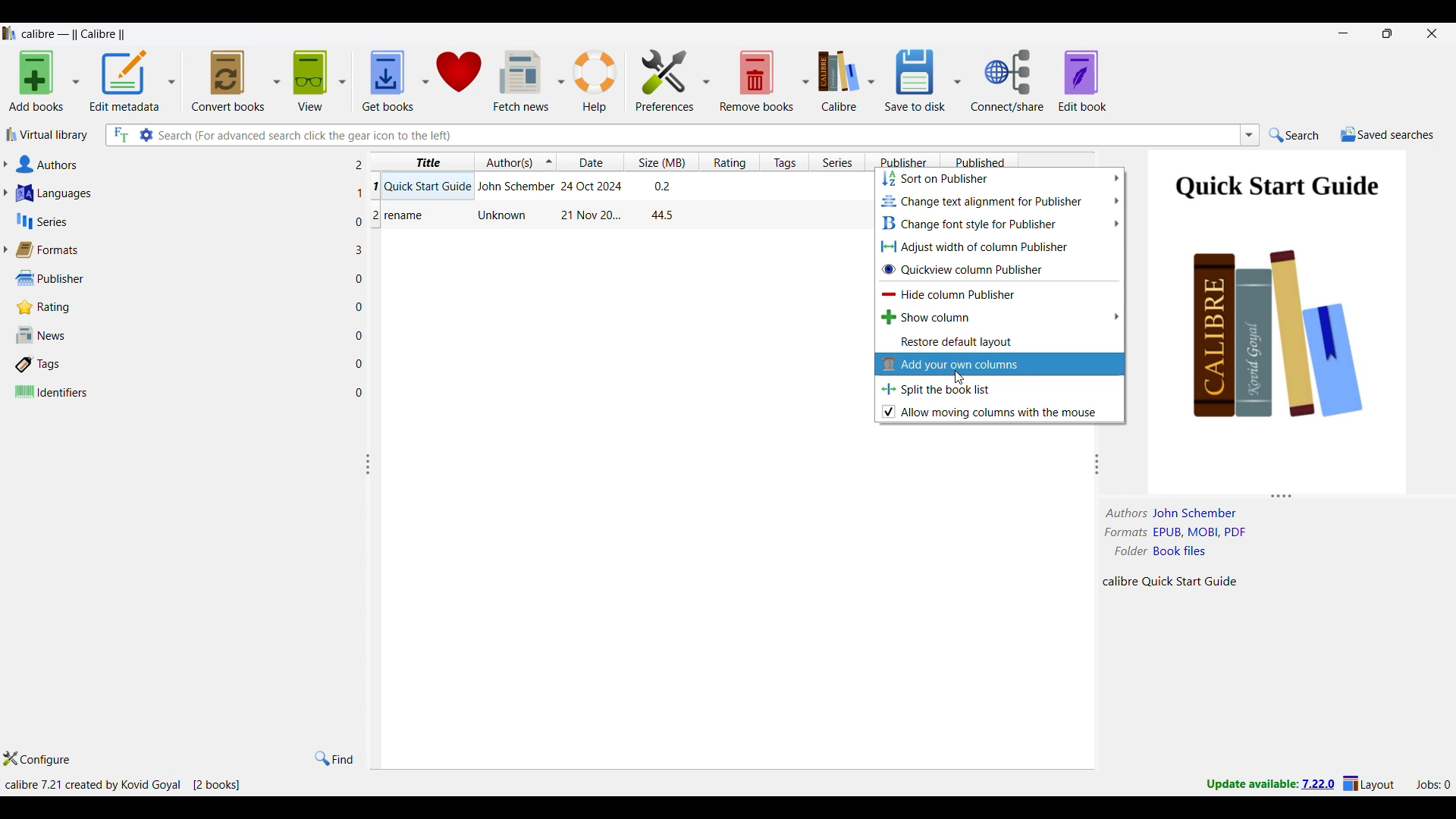 This screenshot has width=1456, height=819. I want to click on Title, so click(406, 216).